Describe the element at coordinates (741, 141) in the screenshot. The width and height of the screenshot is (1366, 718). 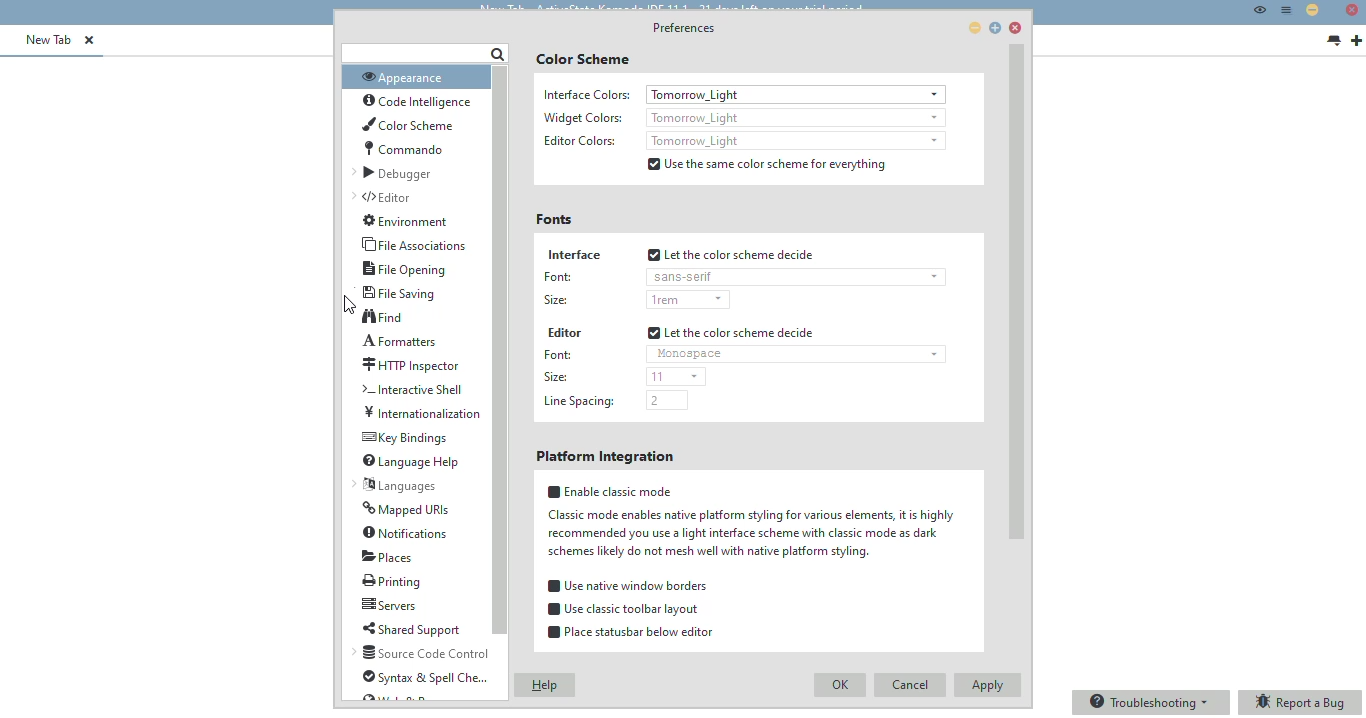
I see `editor colors: tomorrow_light` at that location.